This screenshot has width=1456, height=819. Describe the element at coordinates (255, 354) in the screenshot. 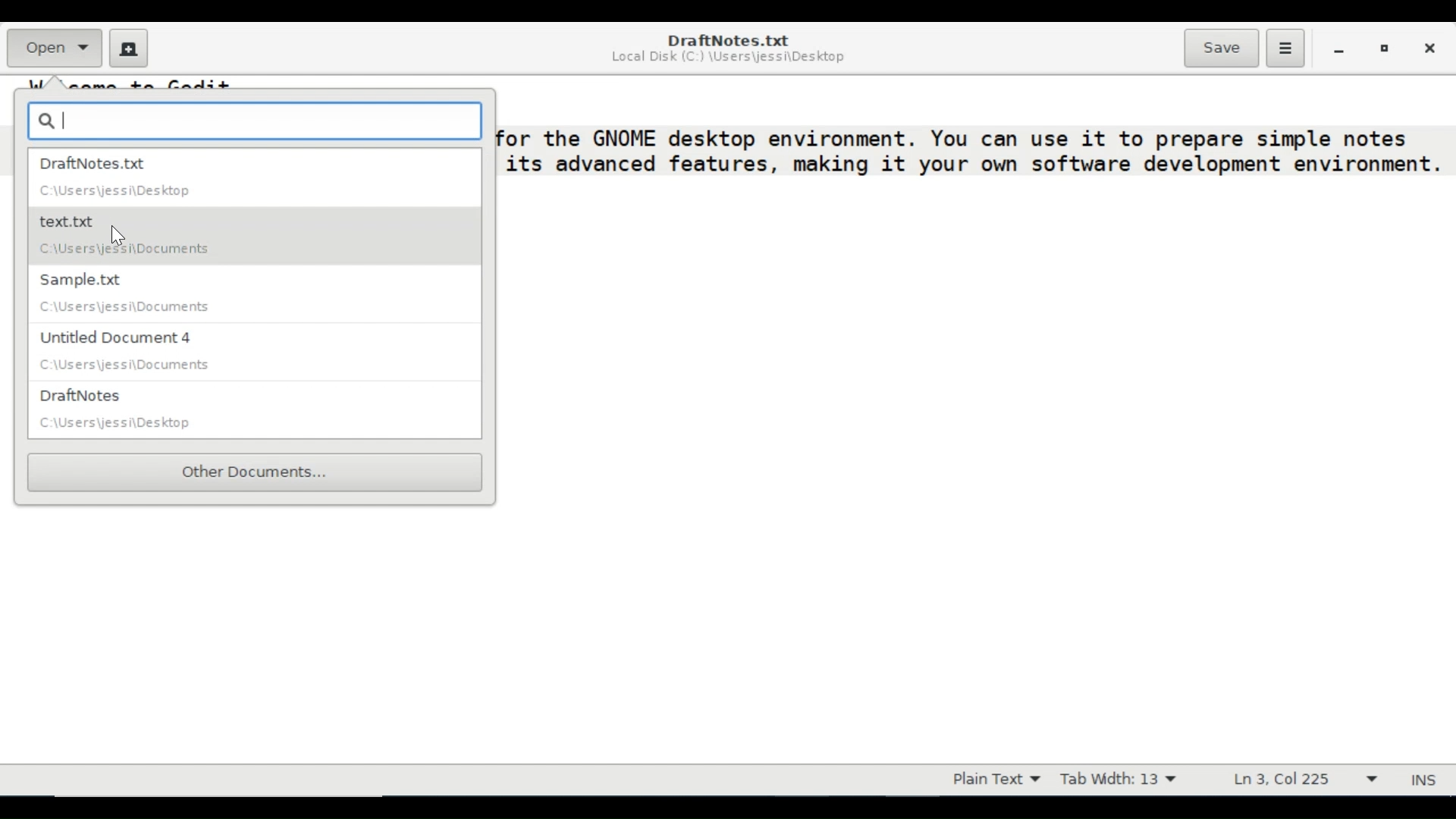

I see `Untitled Document 4` at that location.